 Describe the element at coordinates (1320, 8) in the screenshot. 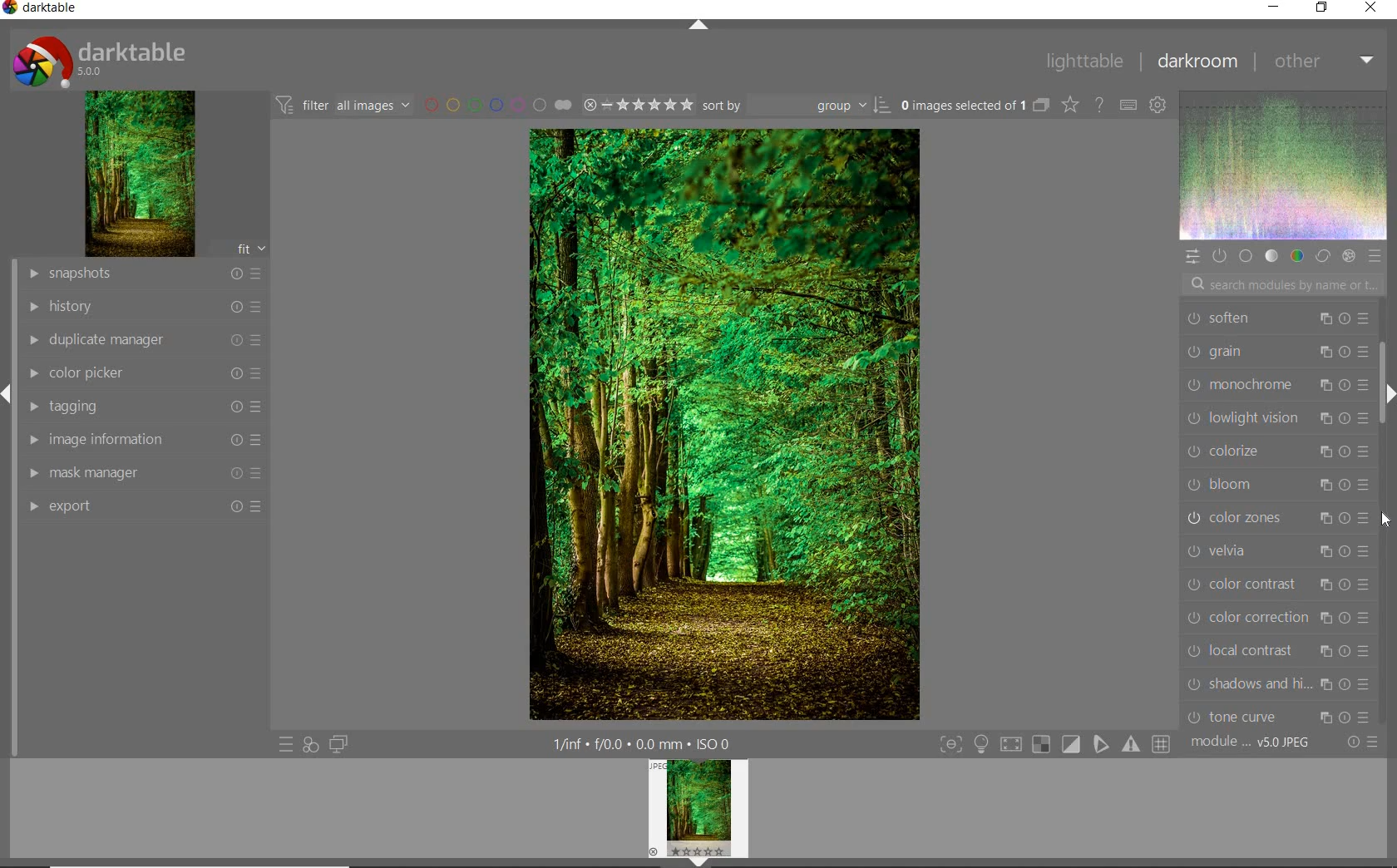

I see `RESTORE` at that location.